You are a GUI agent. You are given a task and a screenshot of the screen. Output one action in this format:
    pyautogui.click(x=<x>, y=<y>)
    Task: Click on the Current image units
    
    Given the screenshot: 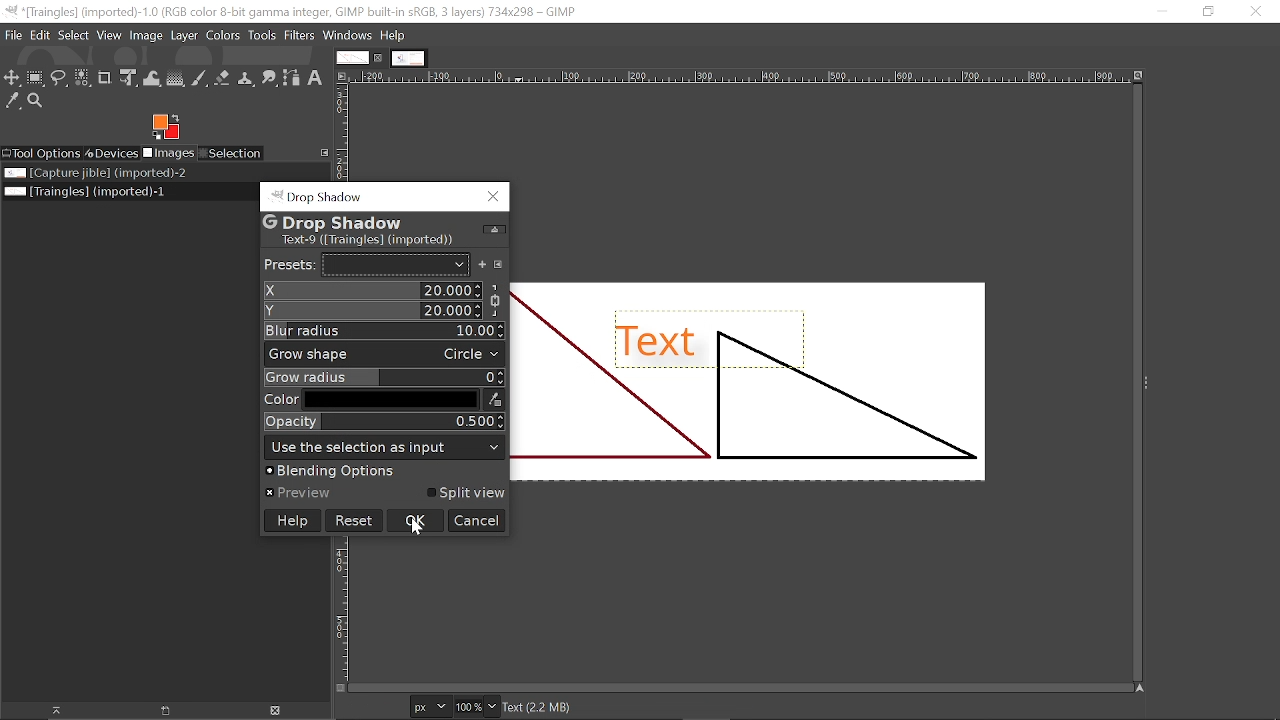 What is the action you would take?
    pyautogui.click(x=425, y=705)
    